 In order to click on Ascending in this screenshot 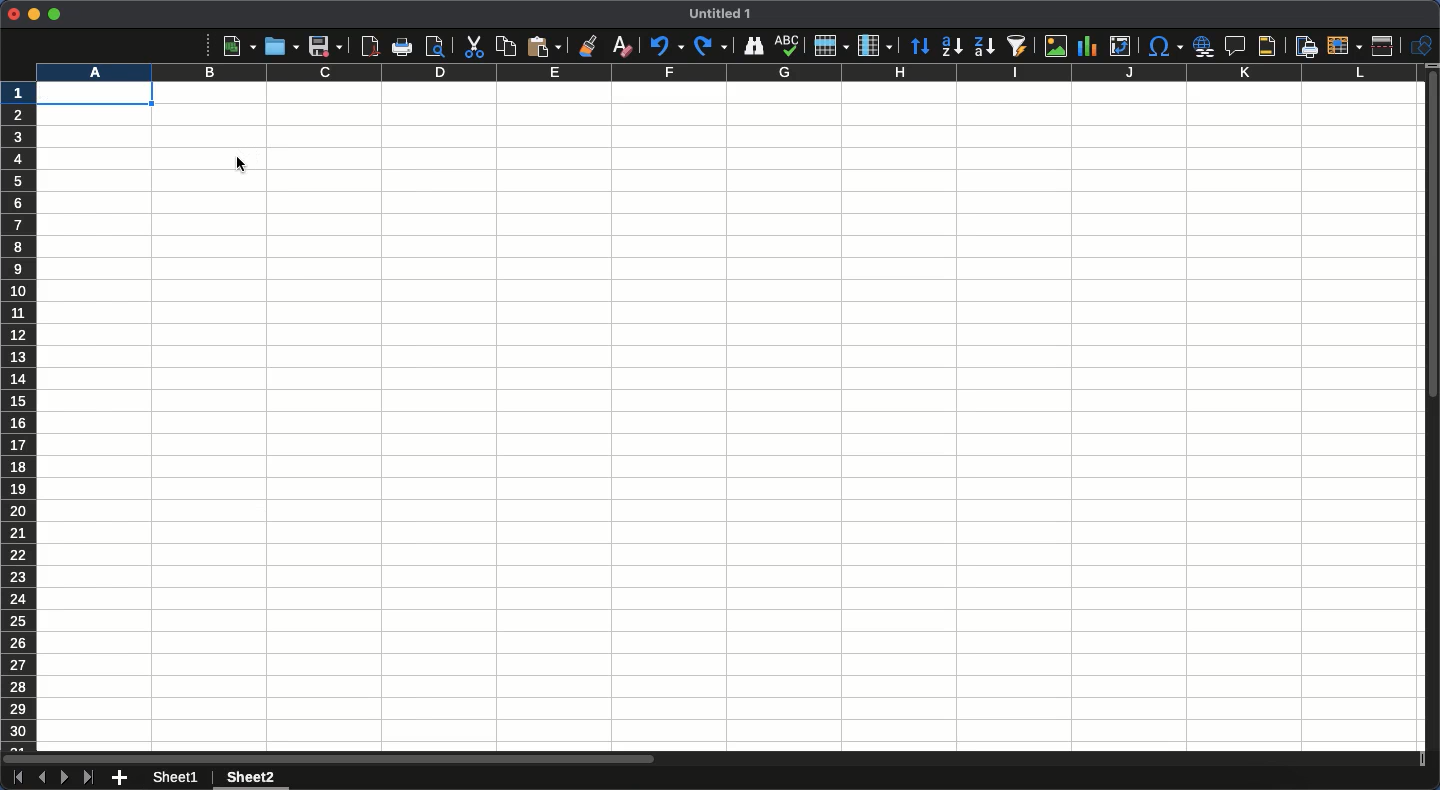, I will do `click(951, 45)`.